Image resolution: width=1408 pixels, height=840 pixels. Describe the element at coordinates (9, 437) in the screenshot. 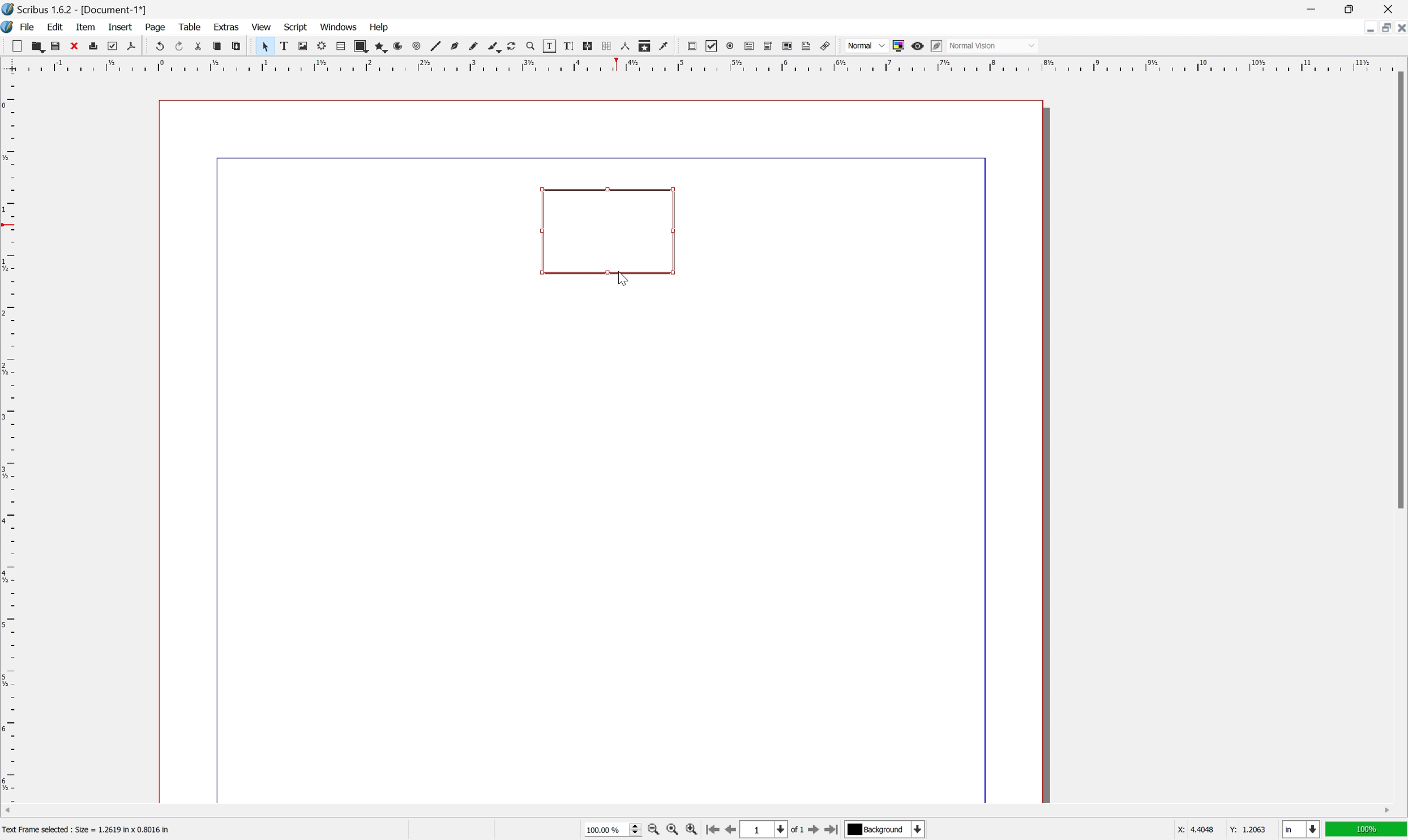

I see `ruler` at that location.